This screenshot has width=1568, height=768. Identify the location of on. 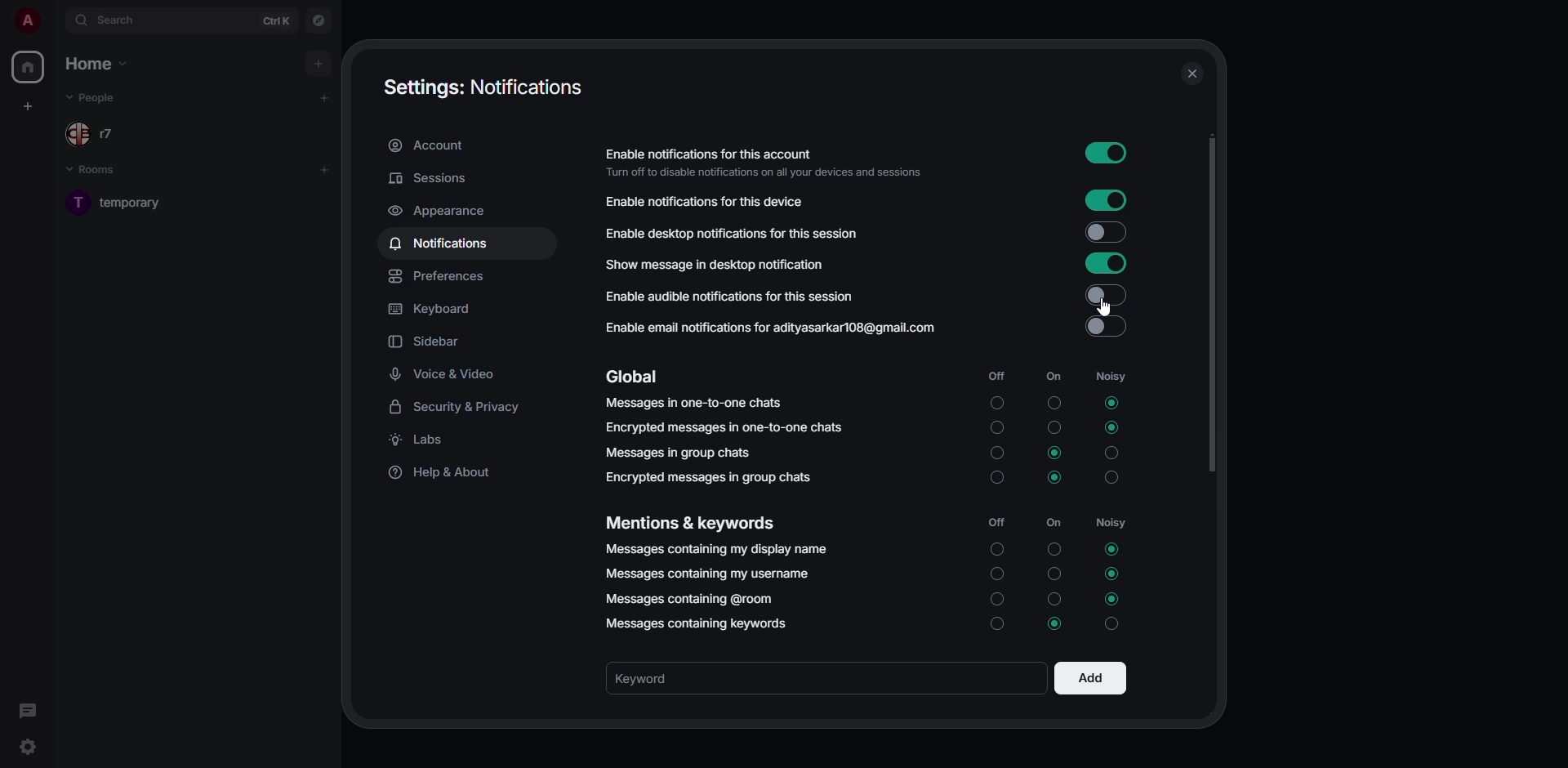
(1053, 546).